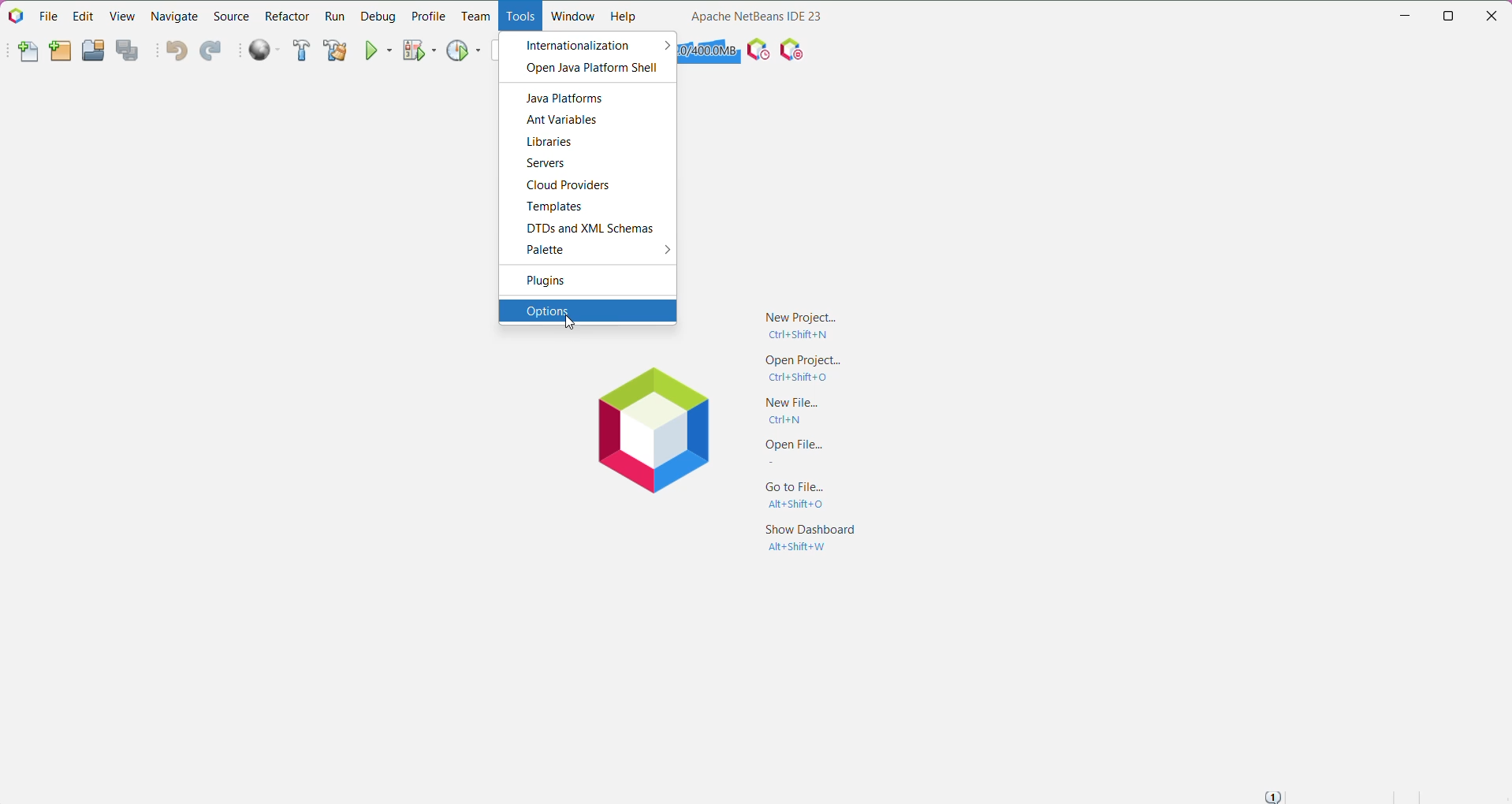  I want to click on Run All, so click(266, 50).